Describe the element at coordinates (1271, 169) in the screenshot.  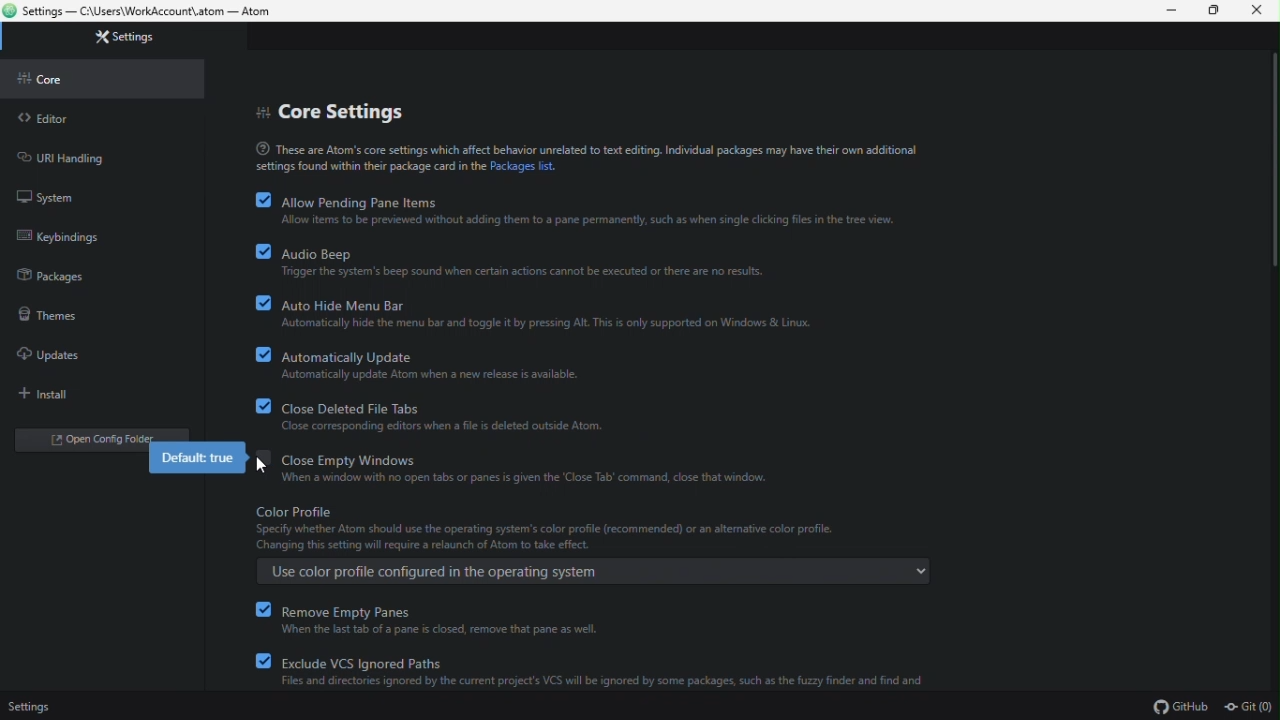
I see `scroll bar` at that location.